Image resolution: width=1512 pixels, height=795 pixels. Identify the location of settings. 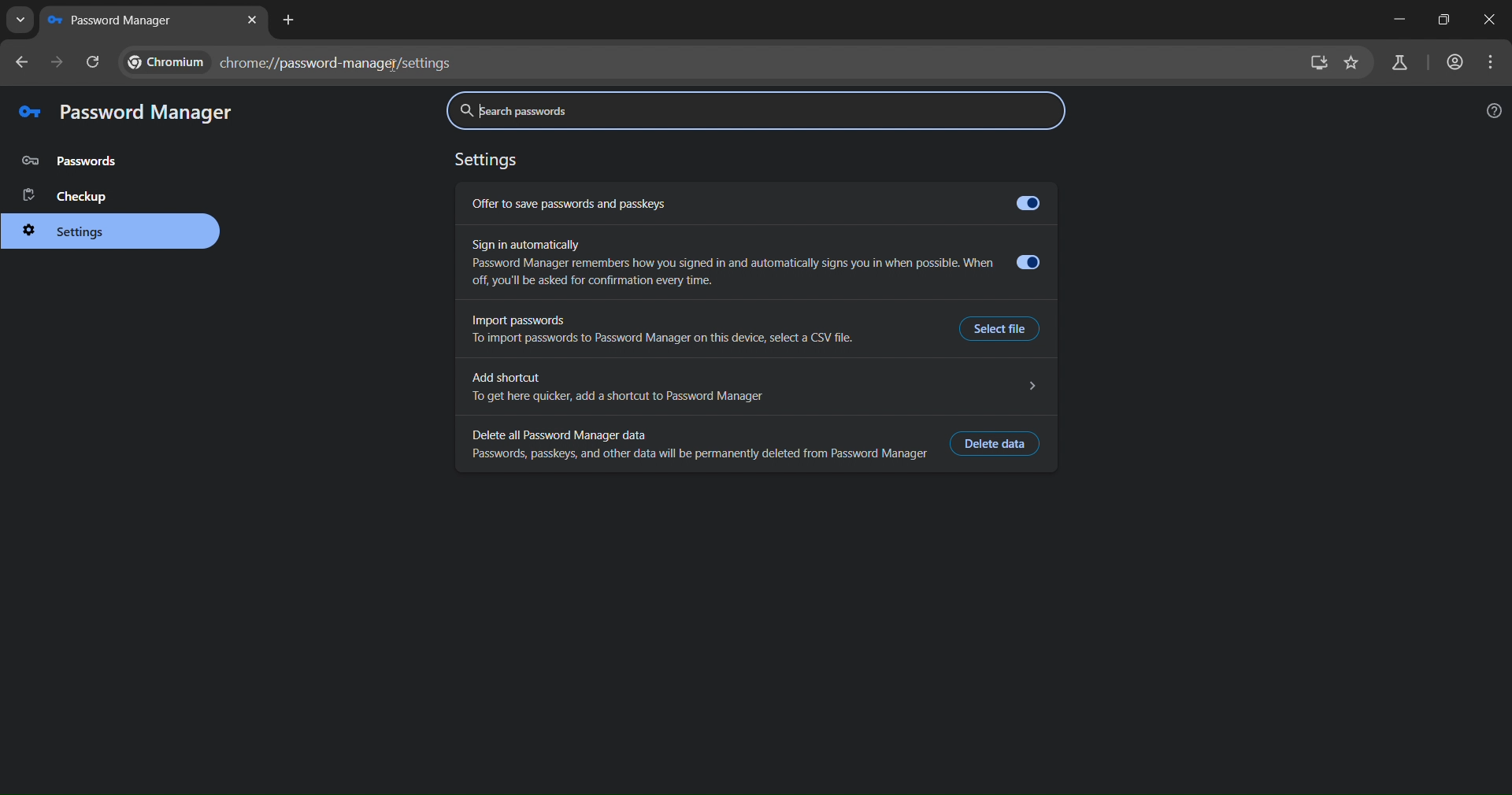
(73, 232).